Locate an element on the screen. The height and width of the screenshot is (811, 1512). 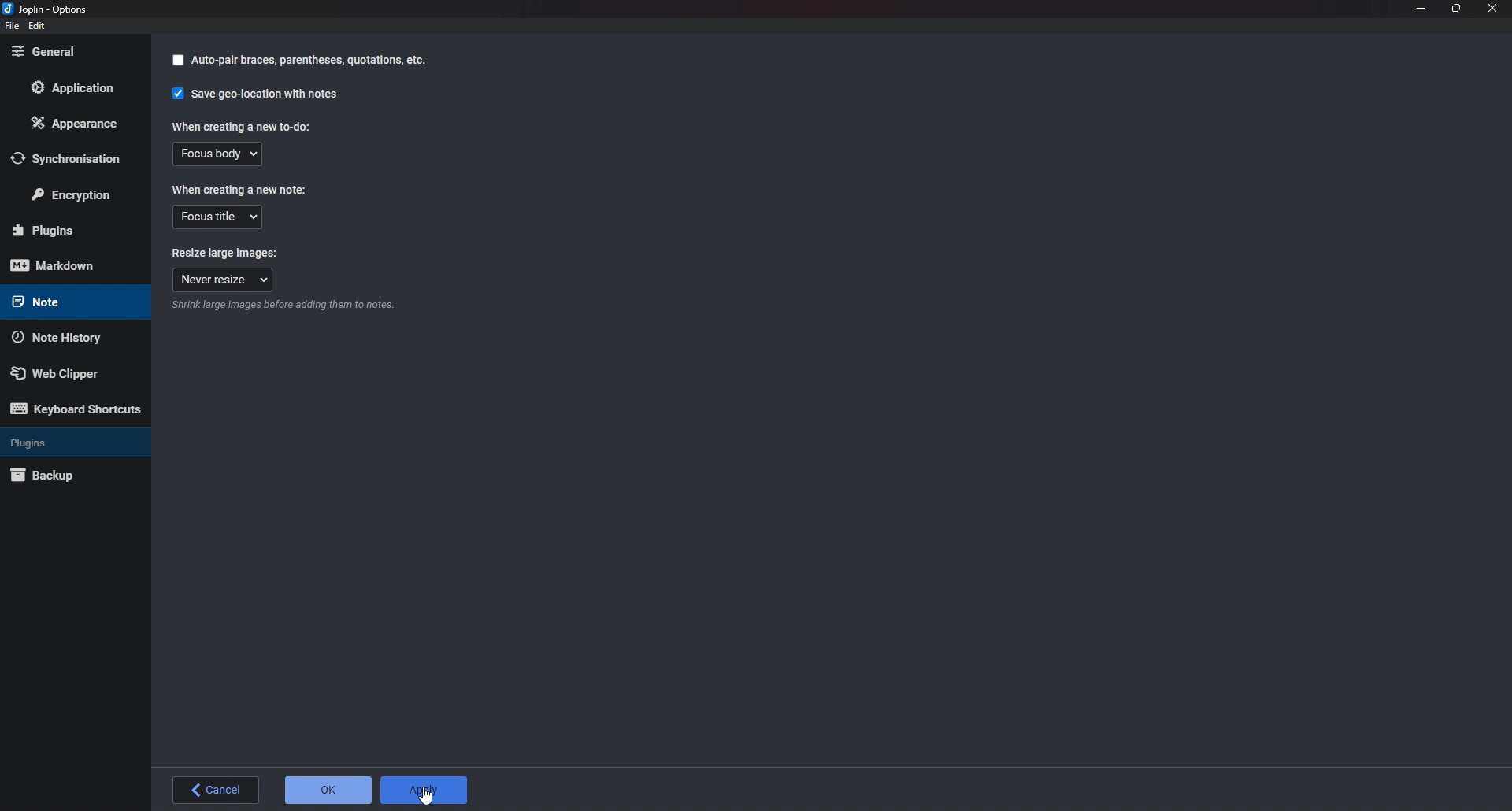
info is located at coordinates (287, 305).